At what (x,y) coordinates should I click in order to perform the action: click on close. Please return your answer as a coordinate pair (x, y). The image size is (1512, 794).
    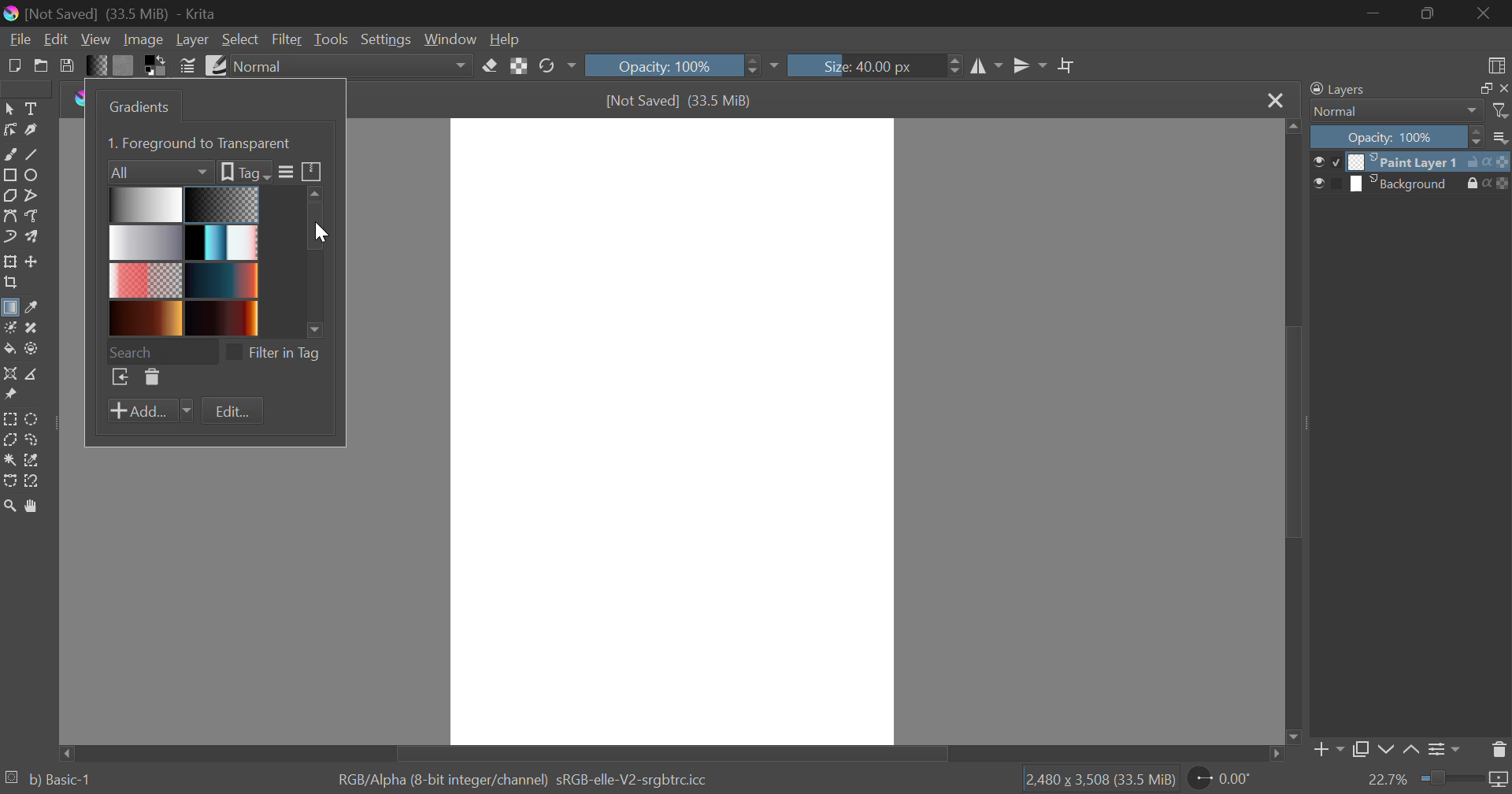
    Looking at the image, I should click on (1503, 88).